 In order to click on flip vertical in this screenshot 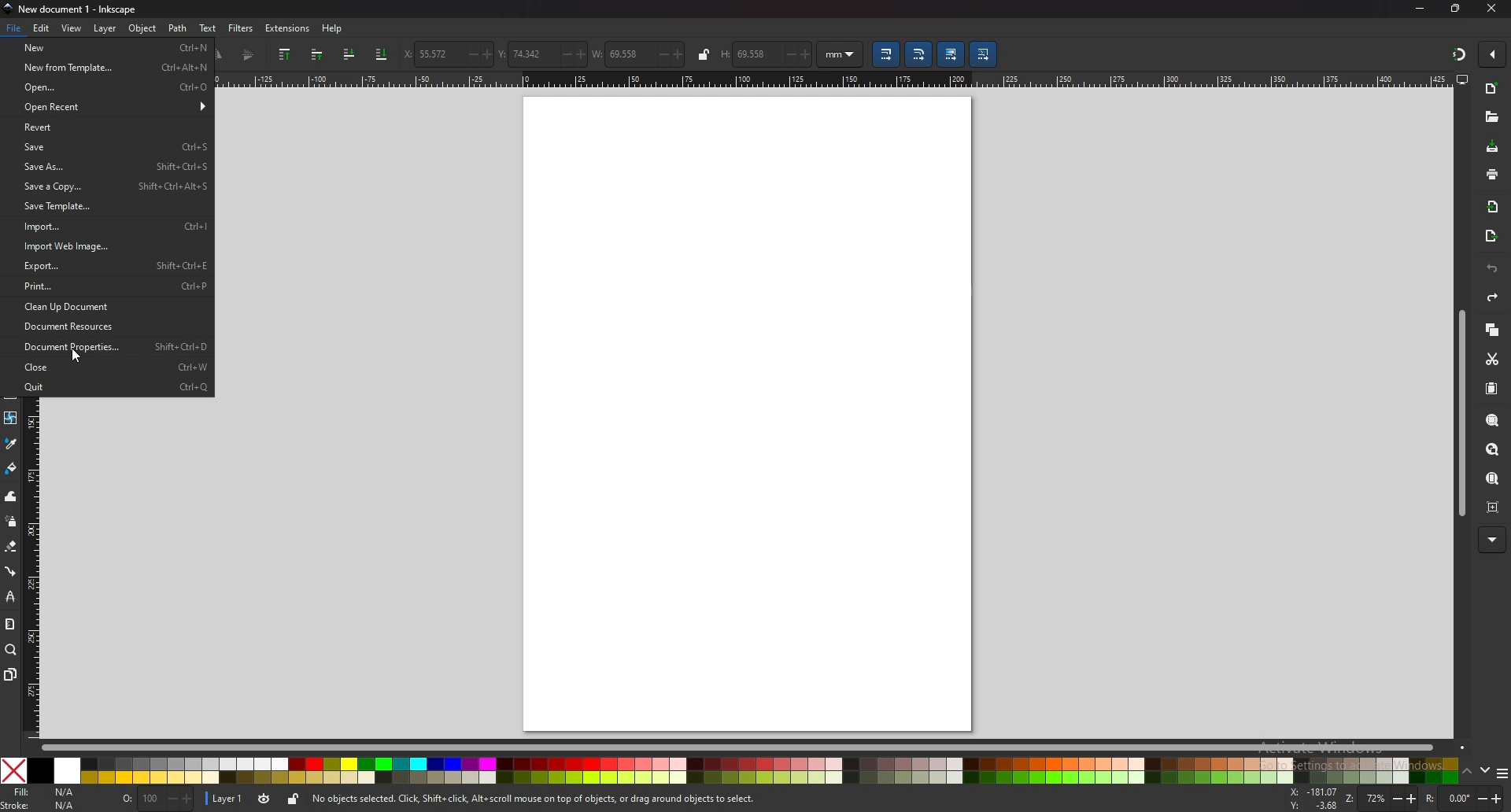, I will do `click(247, 56)`.